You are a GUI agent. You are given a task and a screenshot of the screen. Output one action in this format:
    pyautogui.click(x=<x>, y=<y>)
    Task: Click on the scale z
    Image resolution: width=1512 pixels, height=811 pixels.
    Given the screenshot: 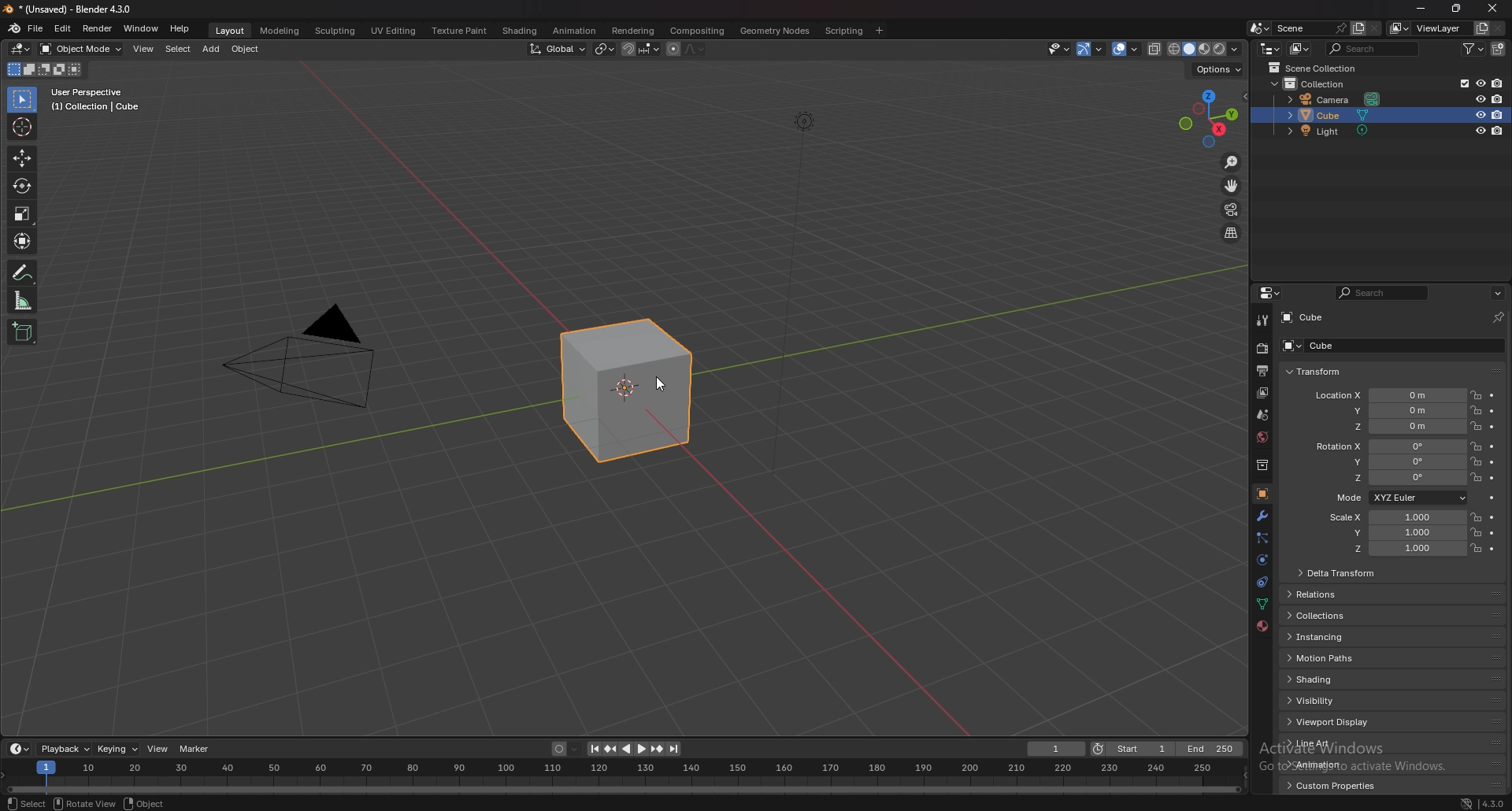 What is the action you would take?
    pyautogui.click(x=1395, y=548)
    